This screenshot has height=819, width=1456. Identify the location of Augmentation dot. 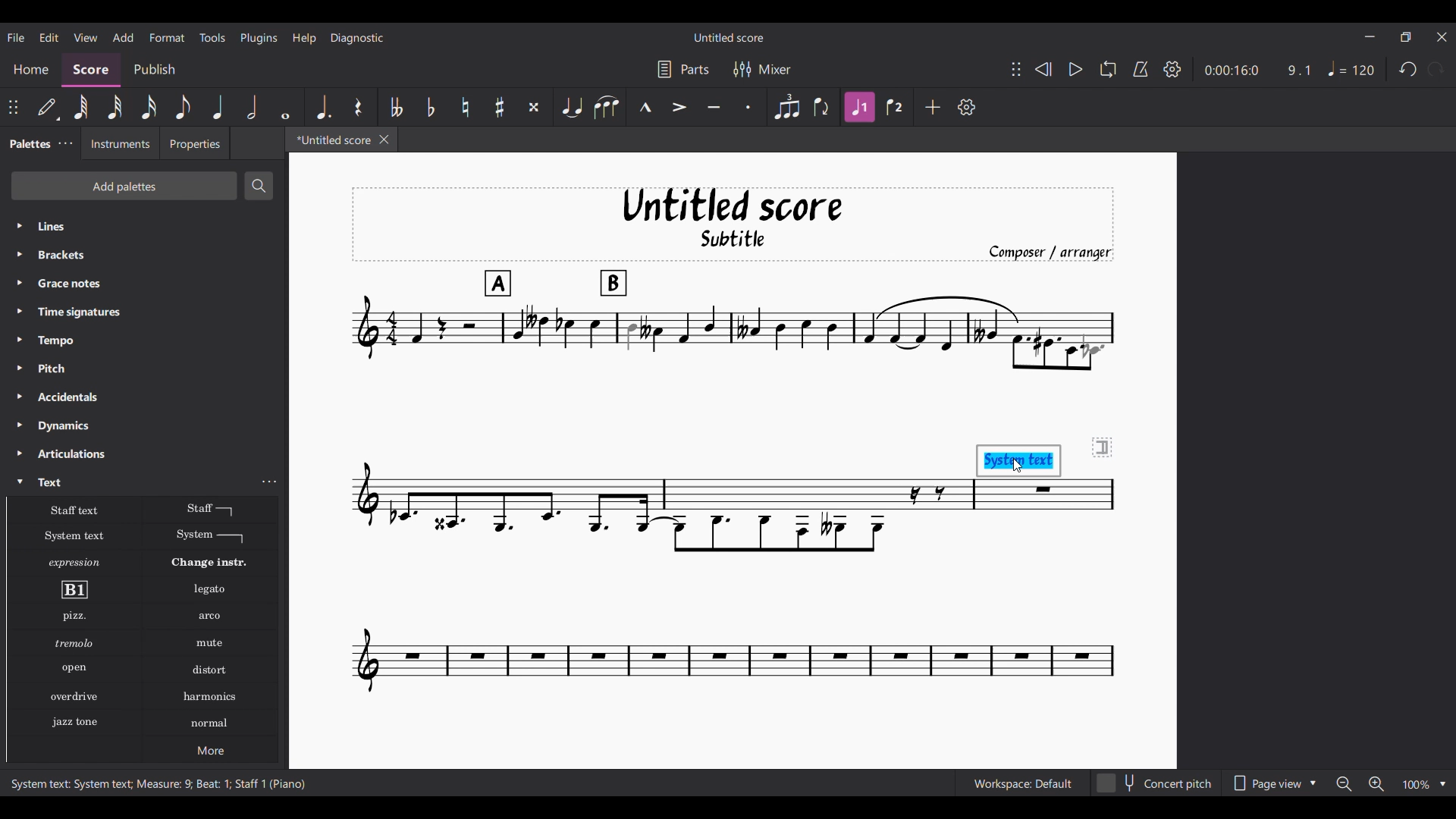
(322, 107).